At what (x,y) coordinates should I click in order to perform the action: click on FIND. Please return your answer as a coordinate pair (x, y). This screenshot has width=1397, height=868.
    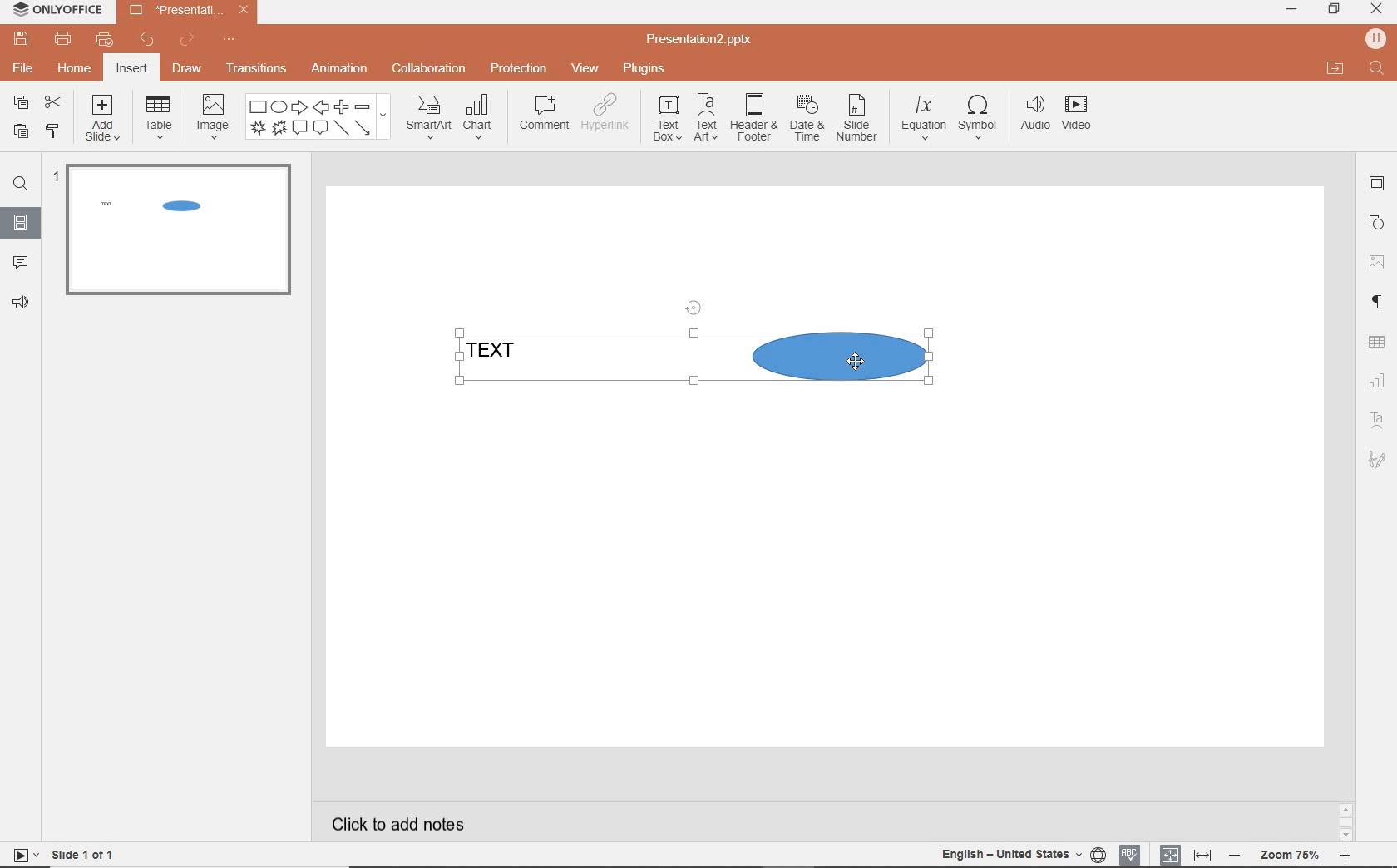
    Looking at the image, I should click on (1379, 70).